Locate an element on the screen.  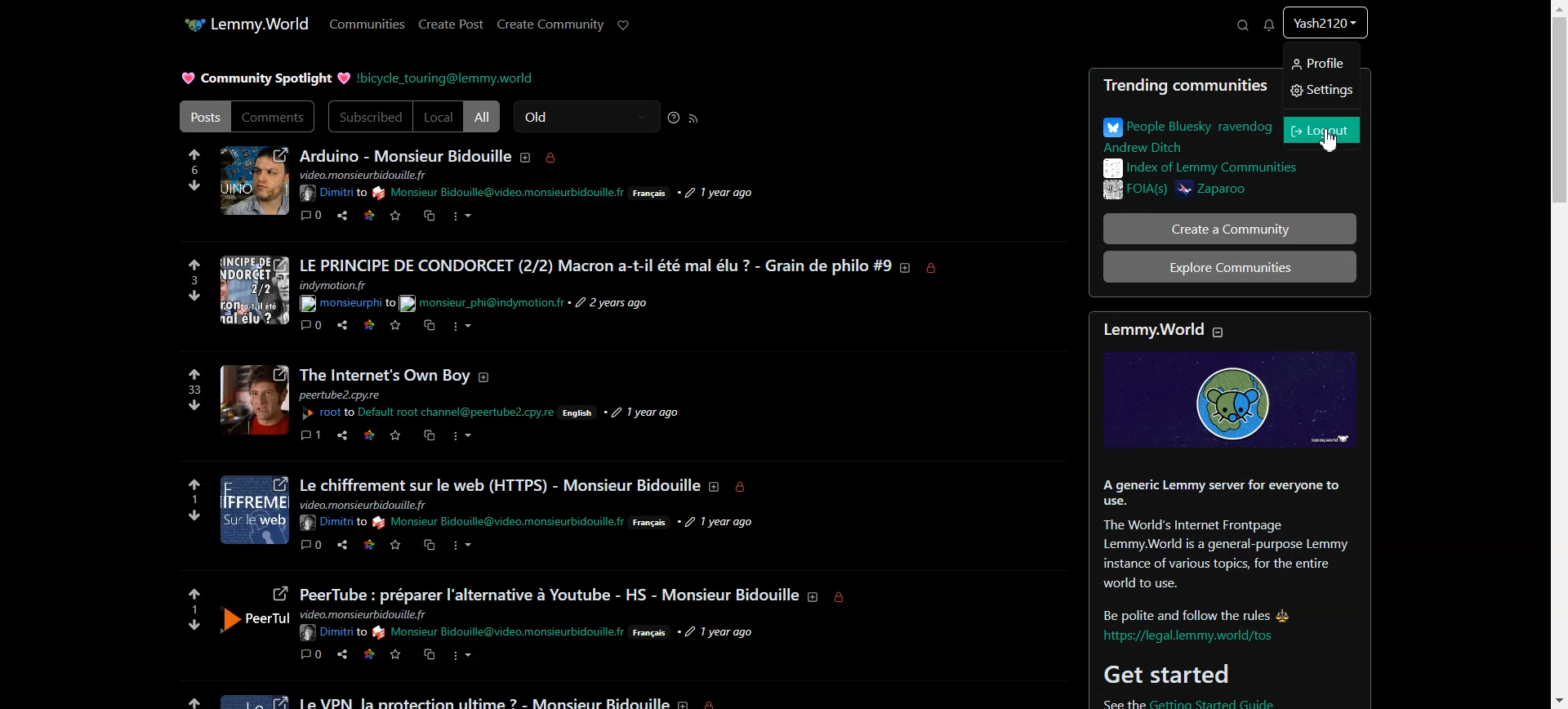
1 year ago is located at coordinates (729, 521).